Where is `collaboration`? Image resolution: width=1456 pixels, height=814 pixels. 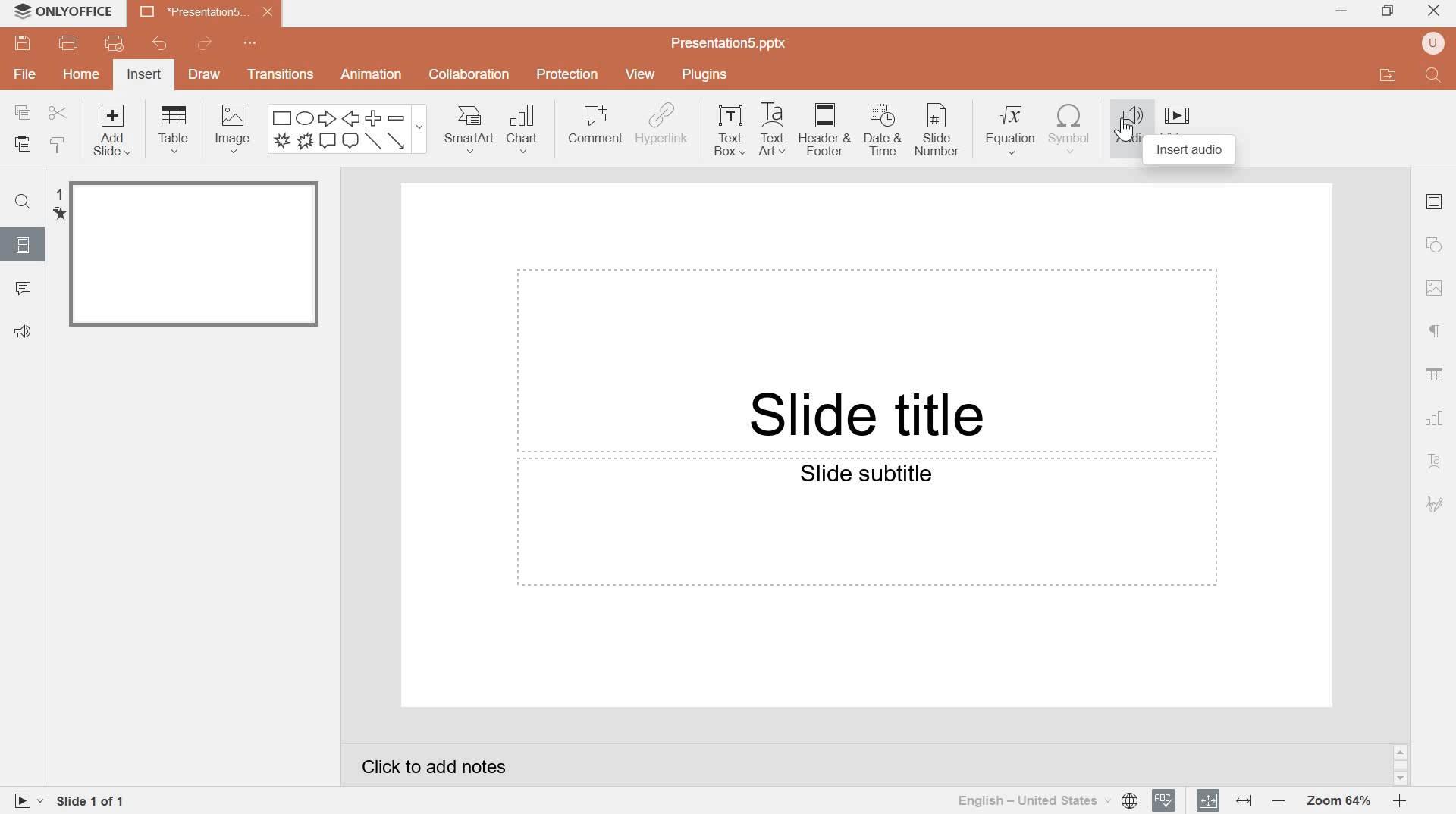 collaboration is located at coordinates (469, 75).